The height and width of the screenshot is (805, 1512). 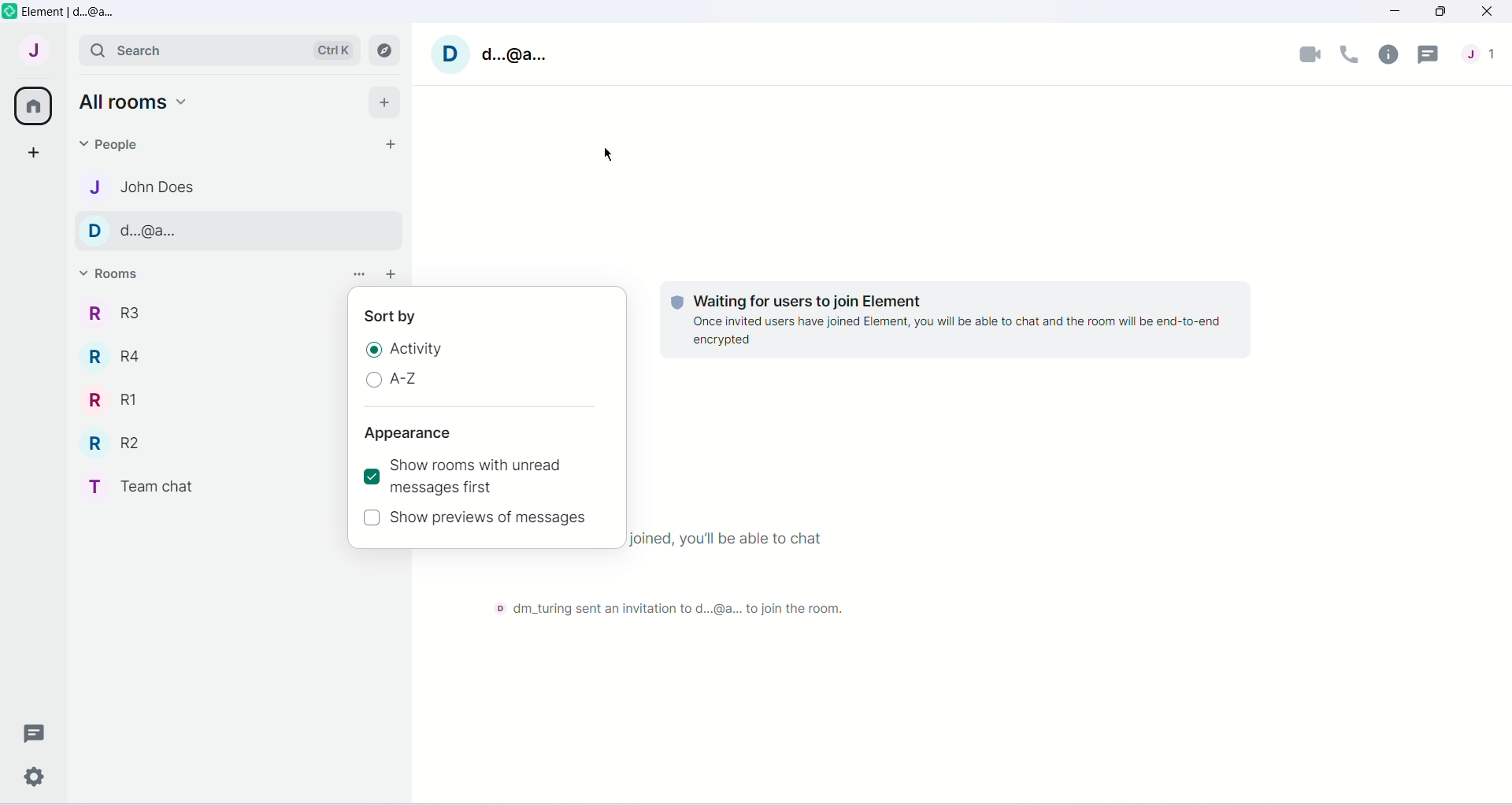 What do you see at coordinates (417, 349) in the screenshot?
I see `Activity` at bounding box center [417, 349].